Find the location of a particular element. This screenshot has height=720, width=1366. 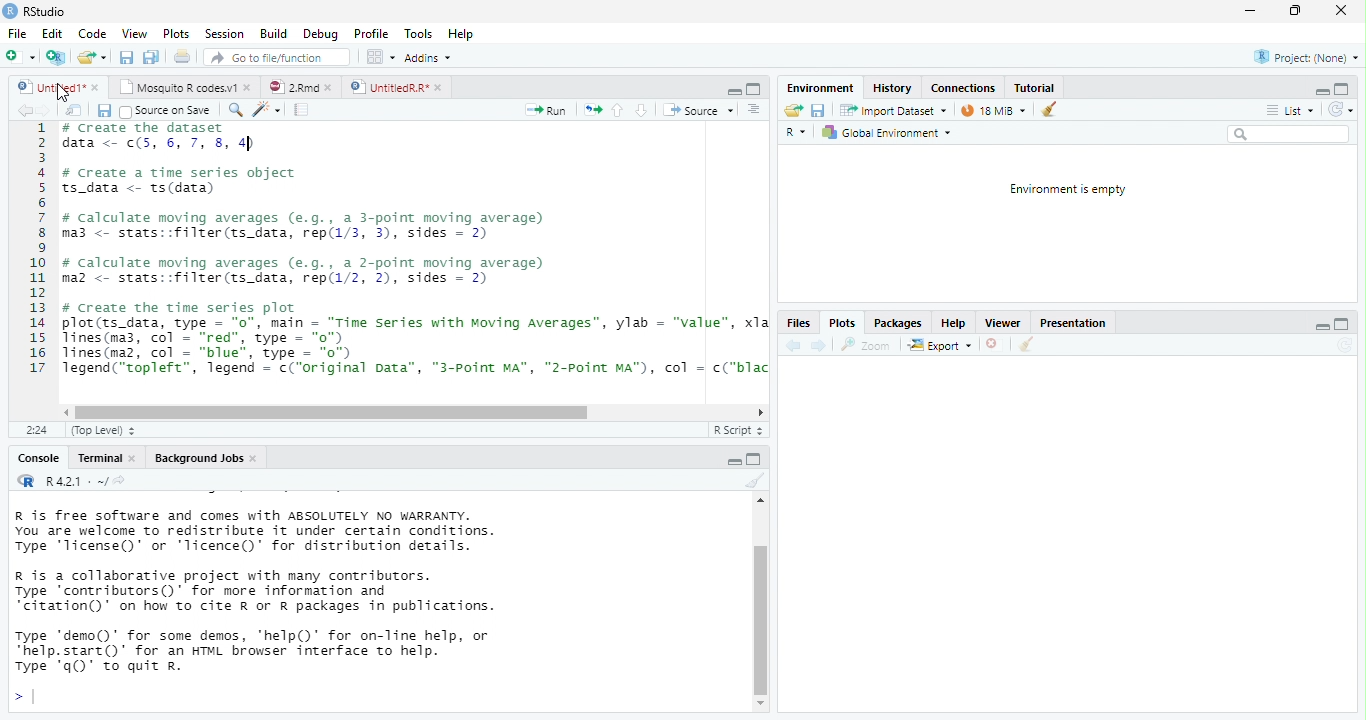

Session is located at coordinates (224, 33).